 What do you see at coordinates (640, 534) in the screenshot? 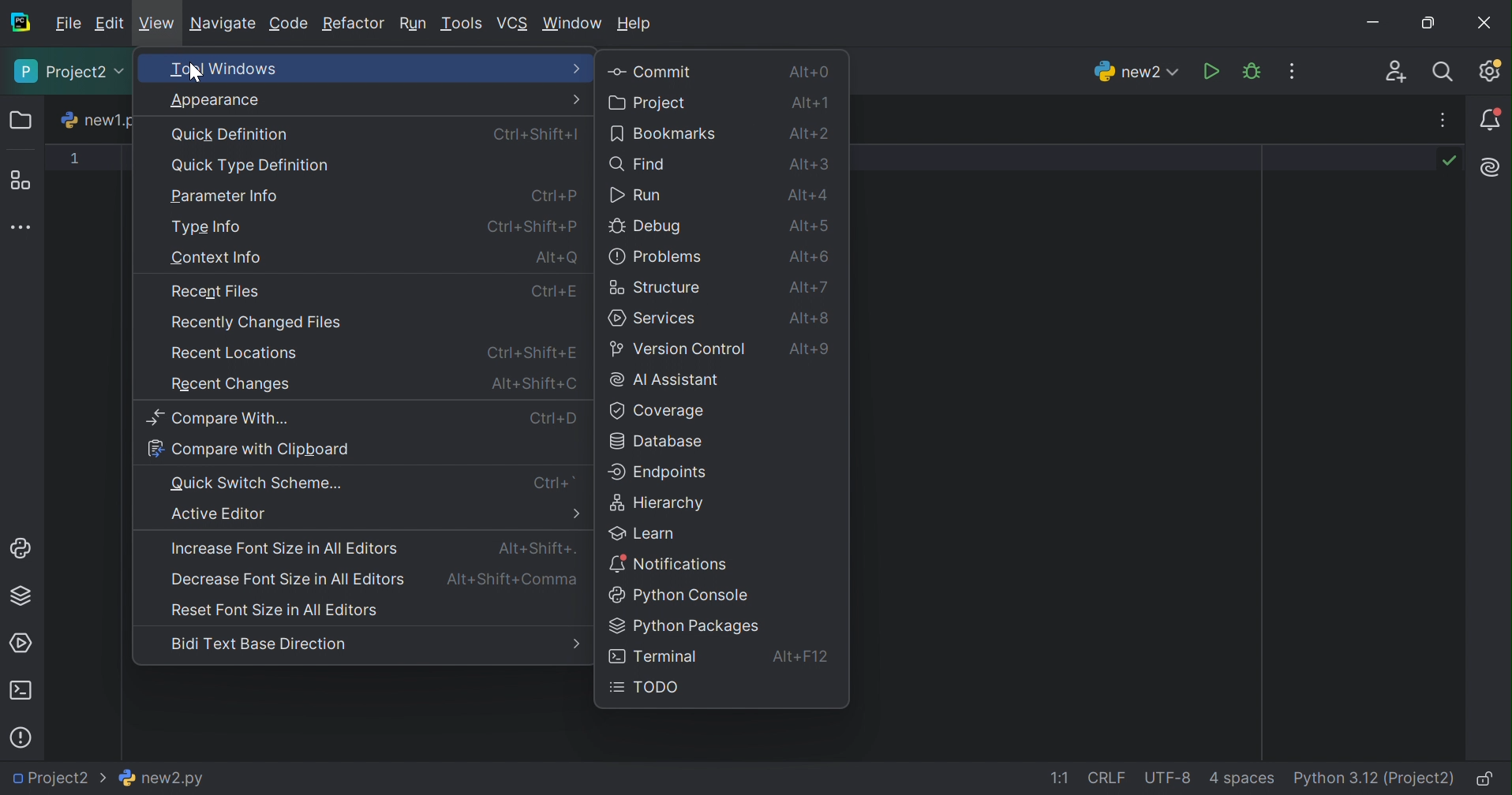
I see `Learn` at bounding box center [640, 534].